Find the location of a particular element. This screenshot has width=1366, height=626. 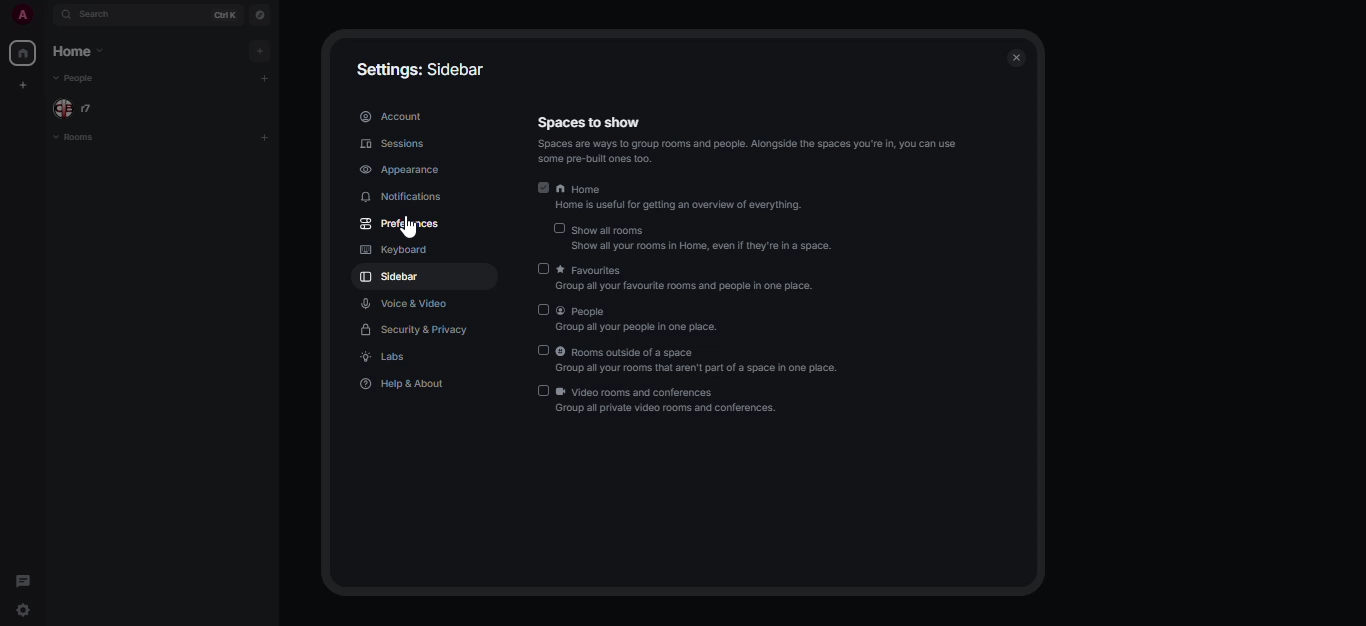

sessions is located at coordinates (392, 143).